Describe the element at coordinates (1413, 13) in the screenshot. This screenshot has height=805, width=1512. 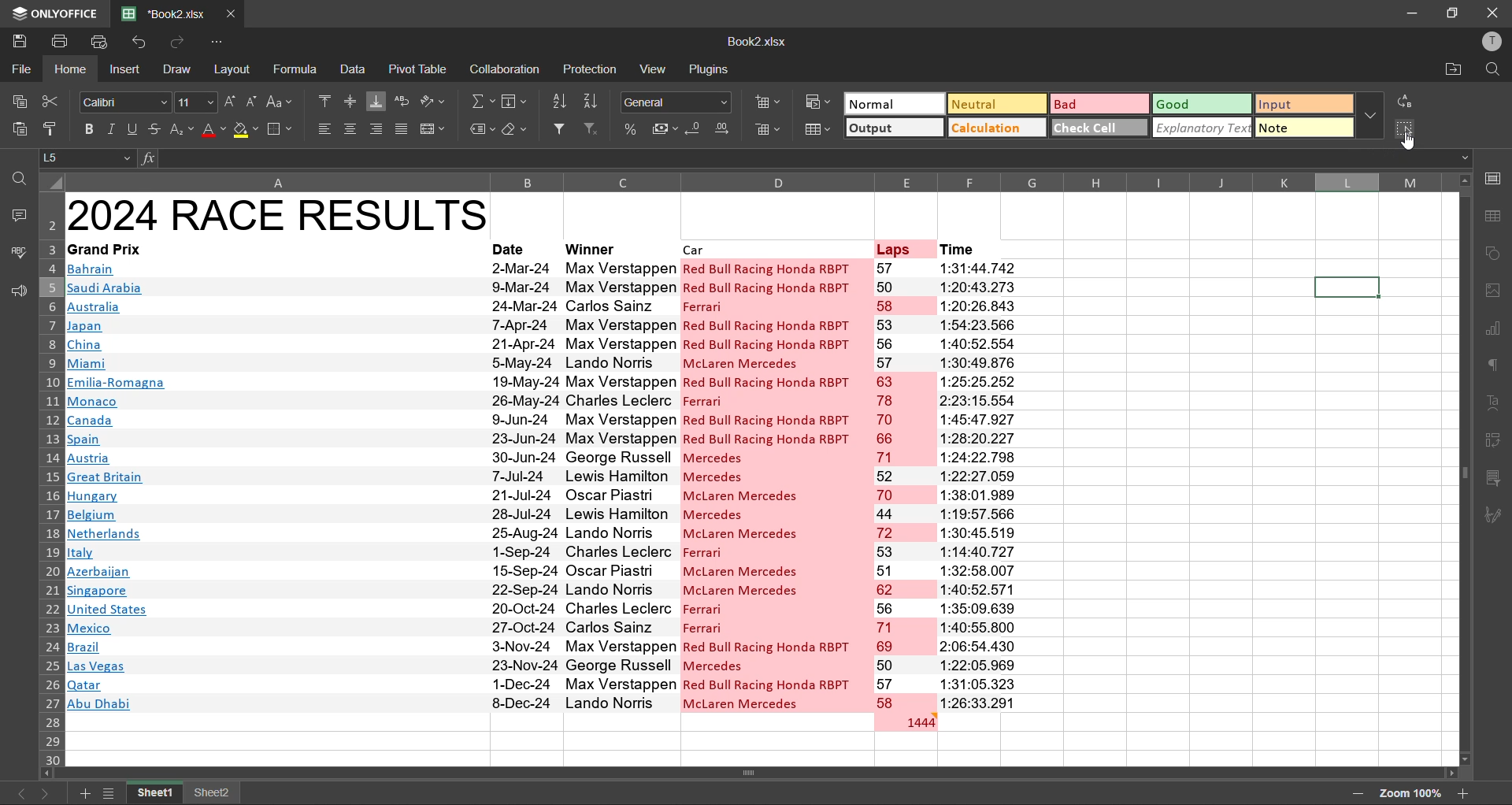
I see `minimize` at that location.